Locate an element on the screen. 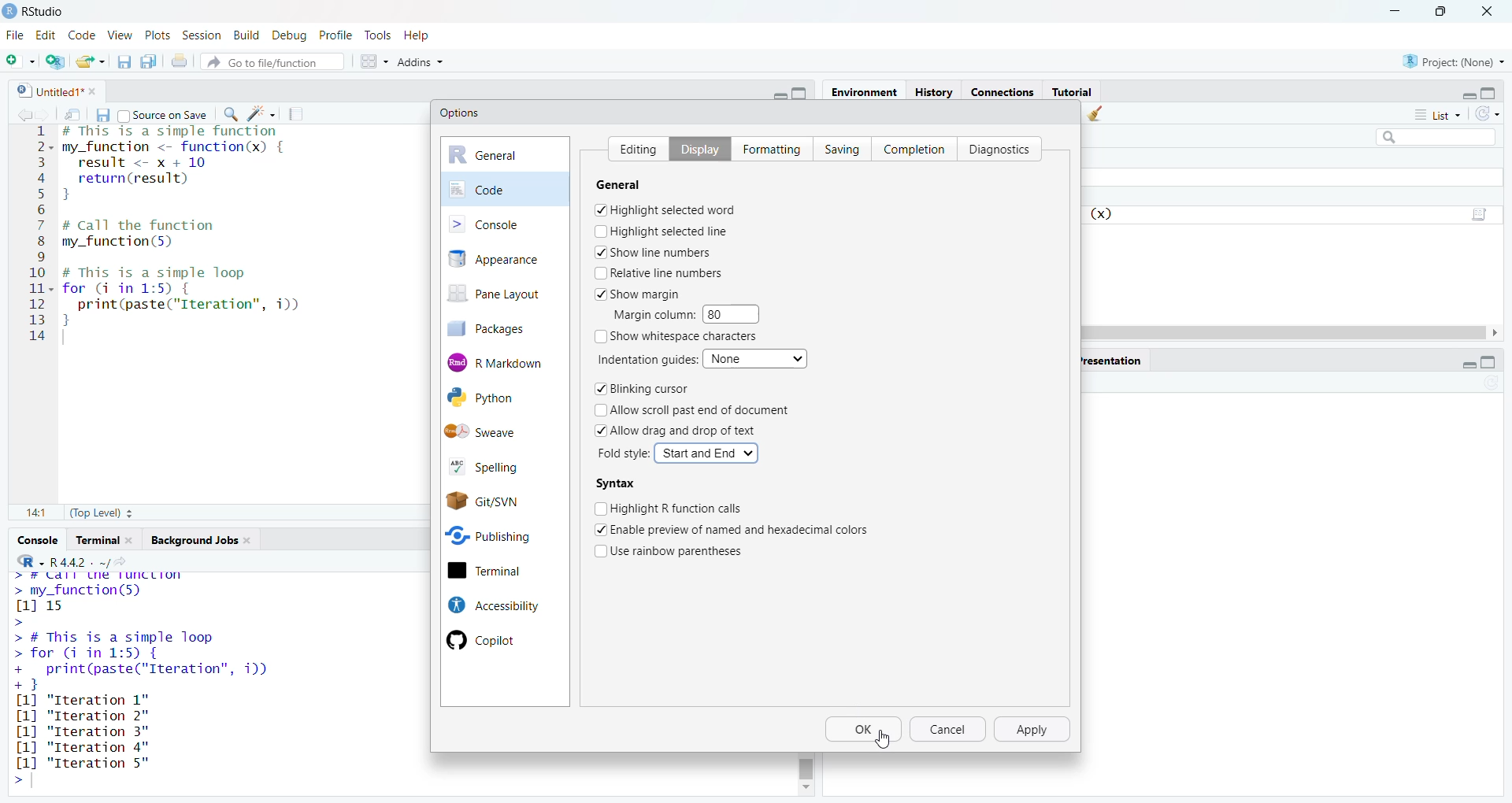 This screenshot has width=1512, height=803. indentation guides is located at coordinates (645, 359).